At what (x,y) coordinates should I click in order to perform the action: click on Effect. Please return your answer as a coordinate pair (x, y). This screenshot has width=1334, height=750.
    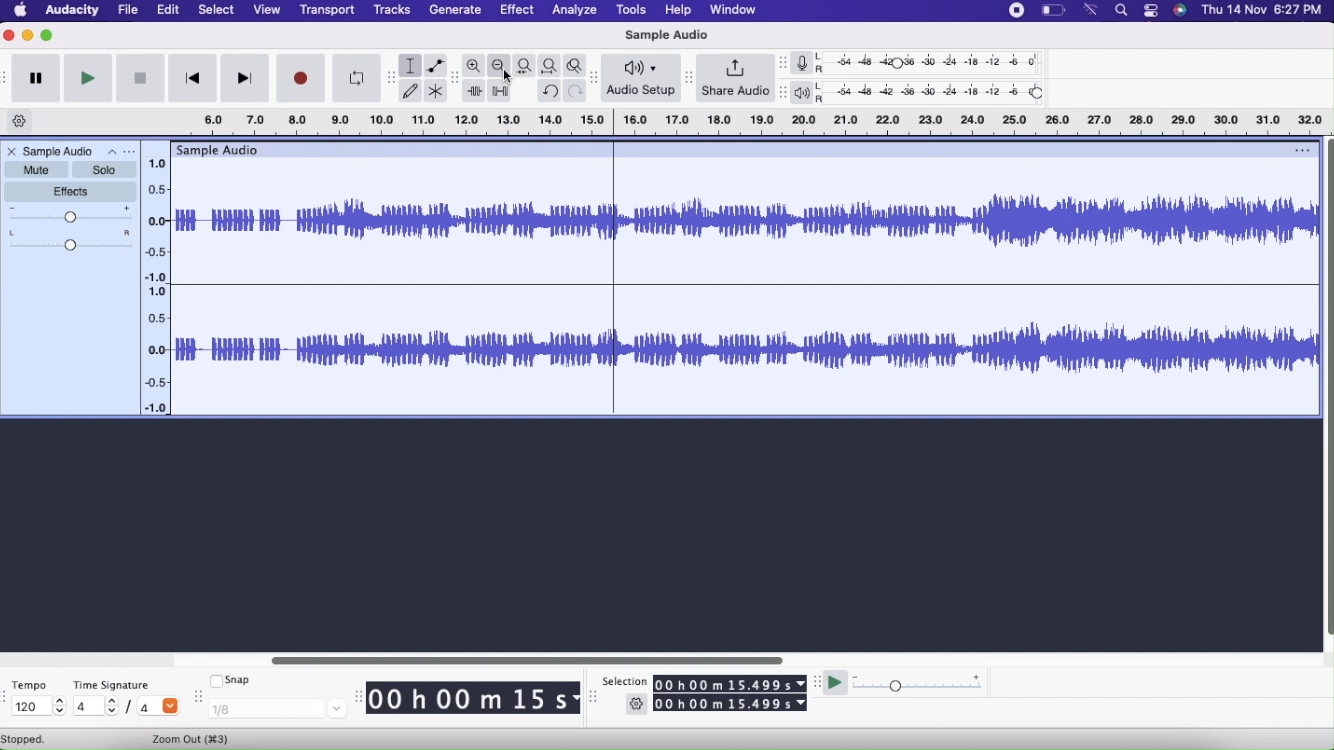
    Looking at the image, I should click on (516, 11).